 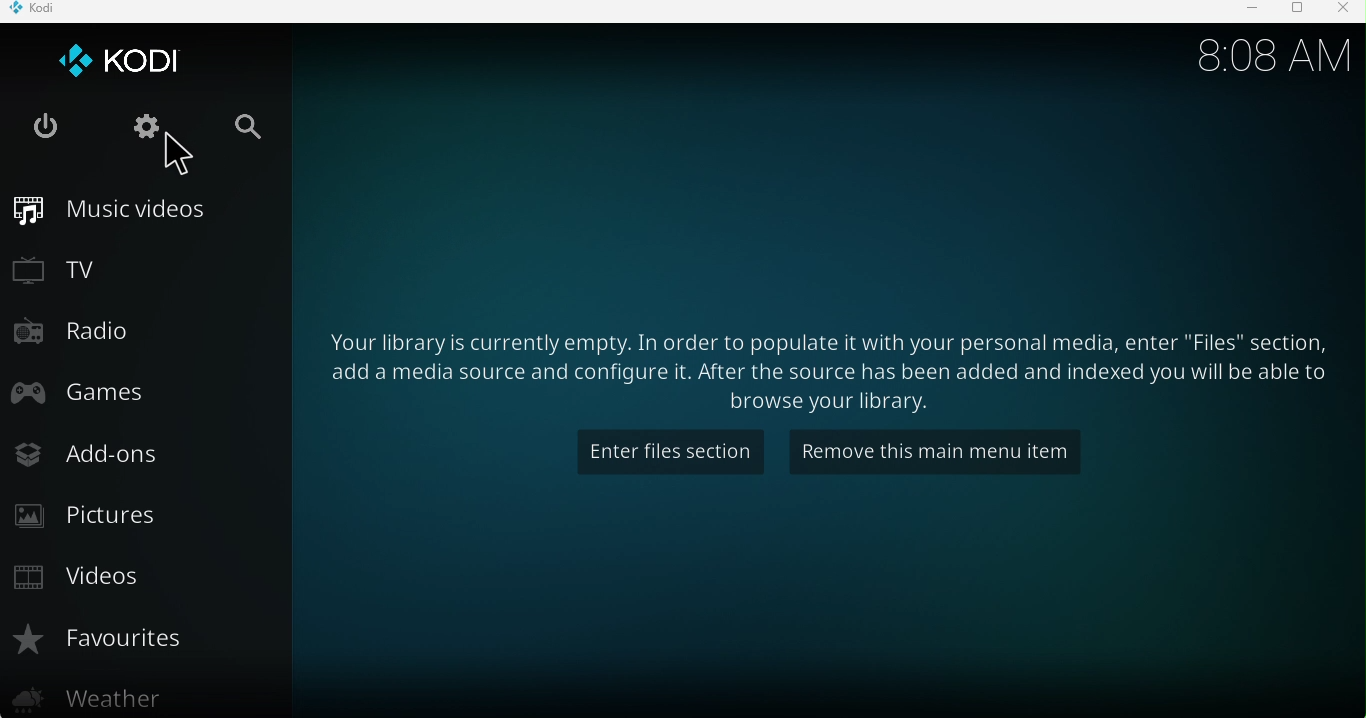 What do you see at coordinates (127, 209) in the screenshot?
I see `Music videos` at bounding box center [127, 209].